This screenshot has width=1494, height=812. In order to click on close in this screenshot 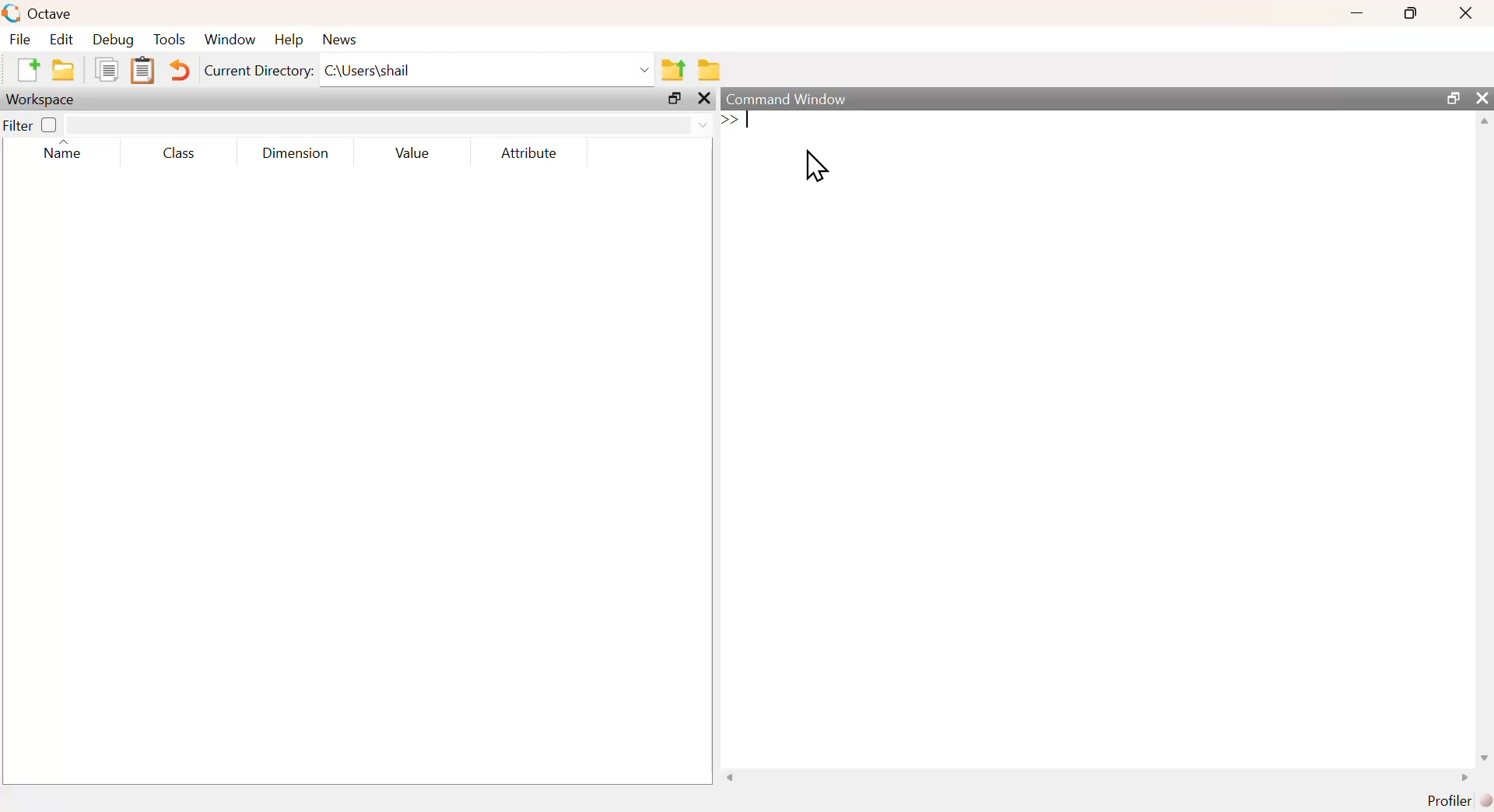, I will do `click(1483, 98)`.